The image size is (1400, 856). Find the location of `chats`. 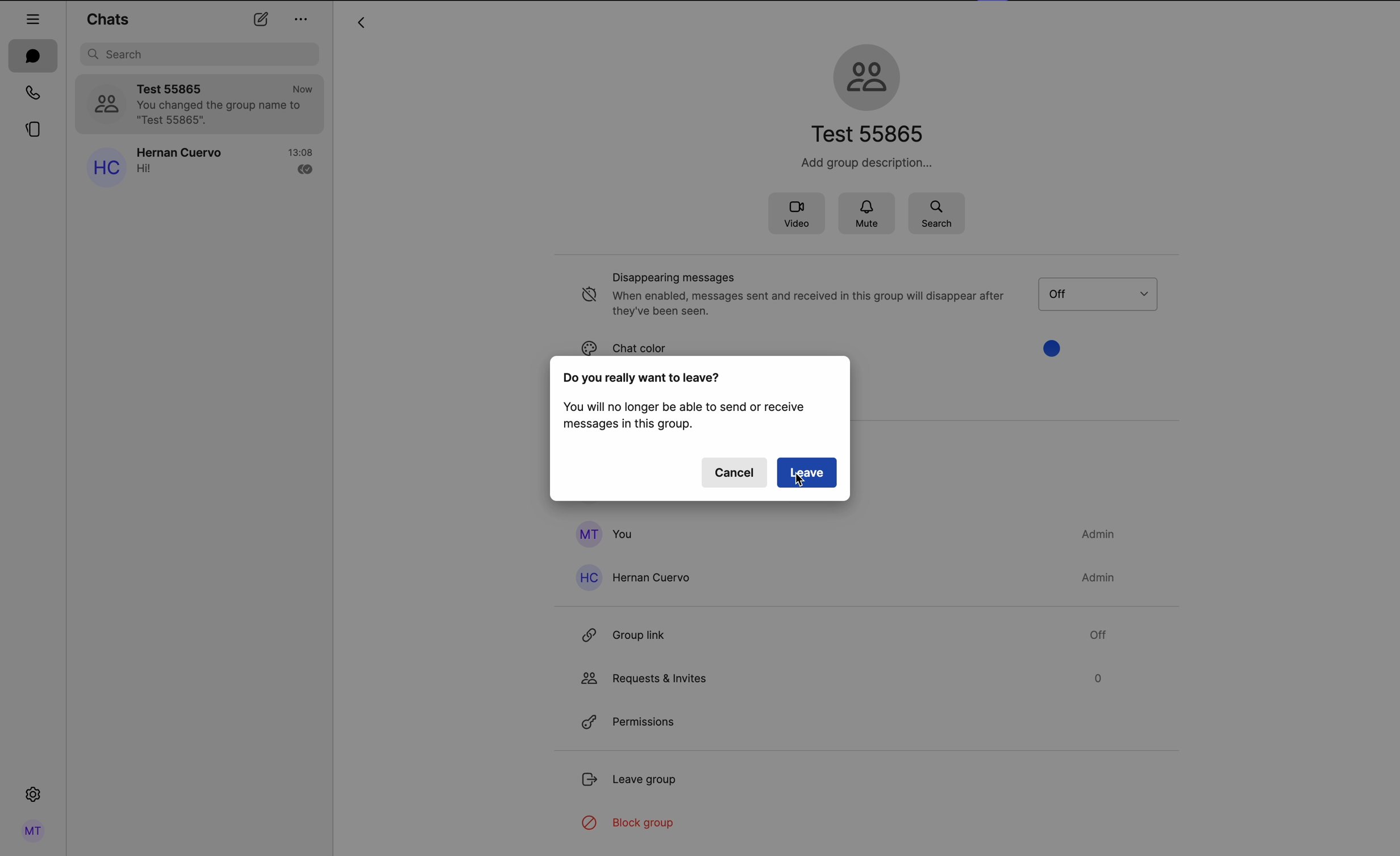

chats is located at coordinates (32, 55).